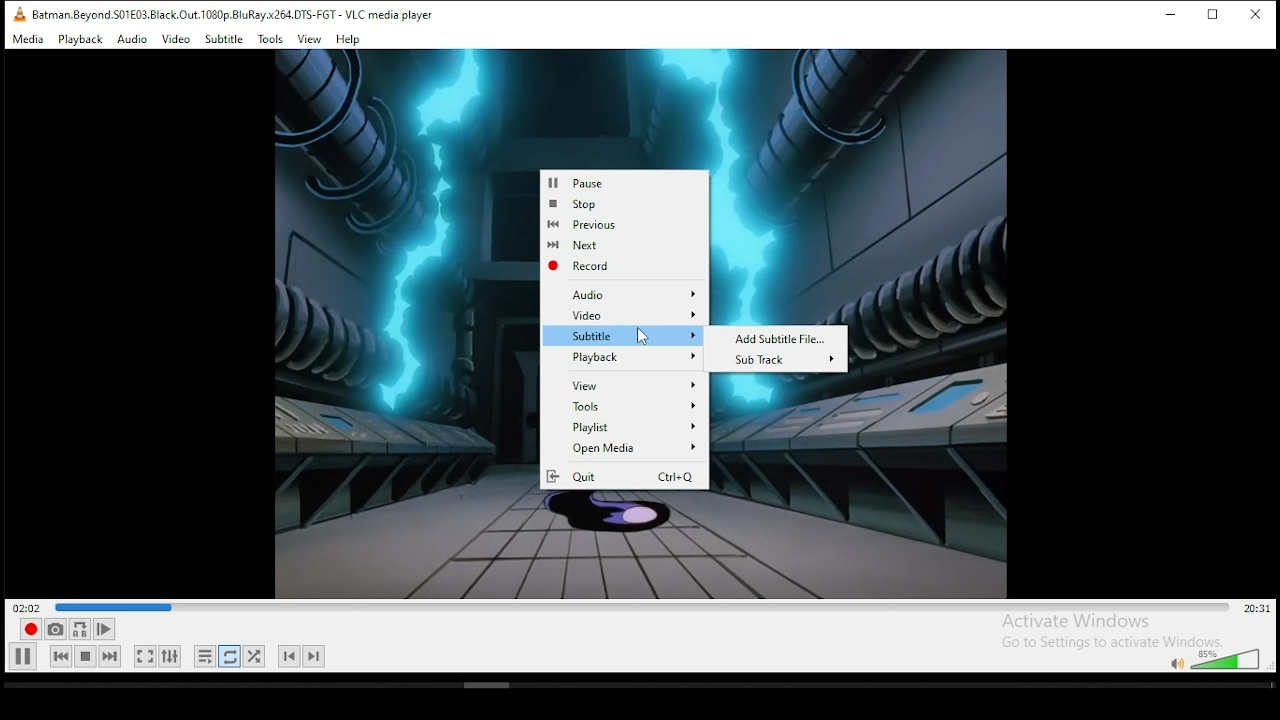  What do you see at coordinates (617, 266) in the screenshot?
I see `Record` at bounding box center [617, 266].